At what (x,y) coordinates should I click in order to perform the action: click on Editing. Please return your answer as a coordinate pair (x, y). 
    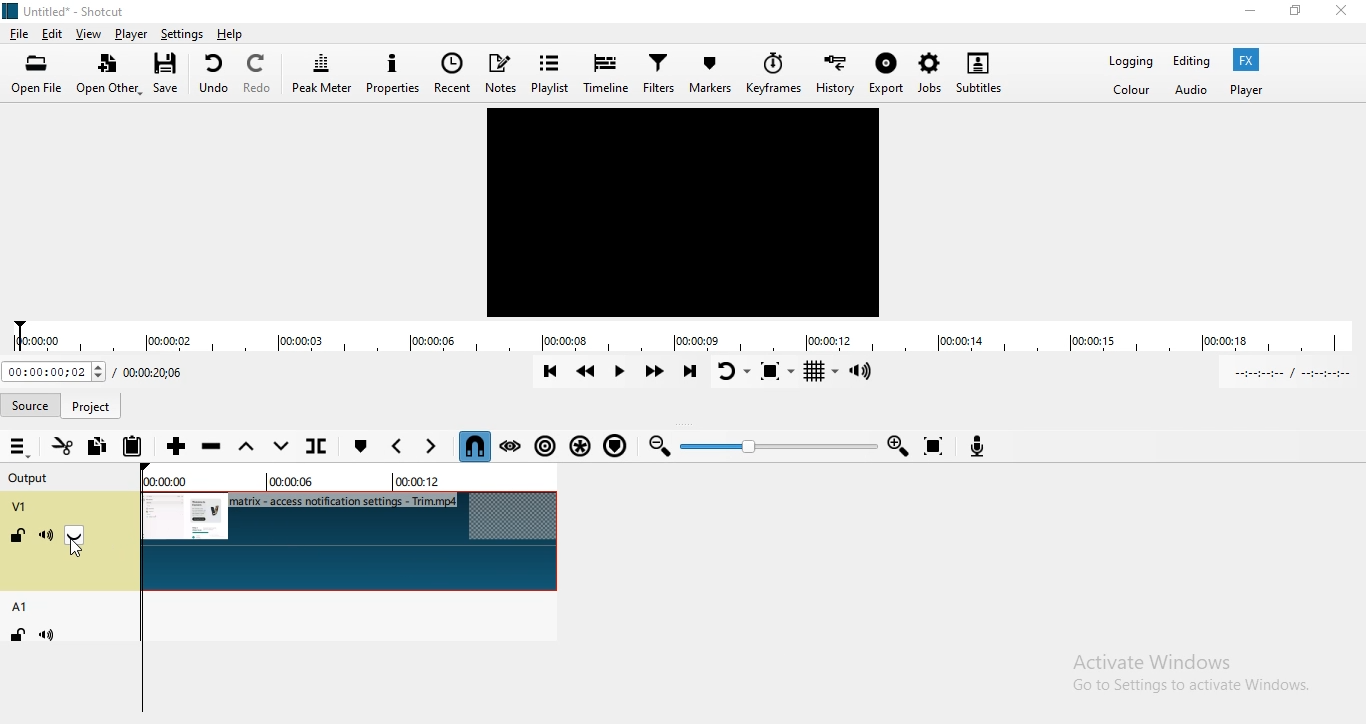
    Looking at the image, I should click on (1193, 62).